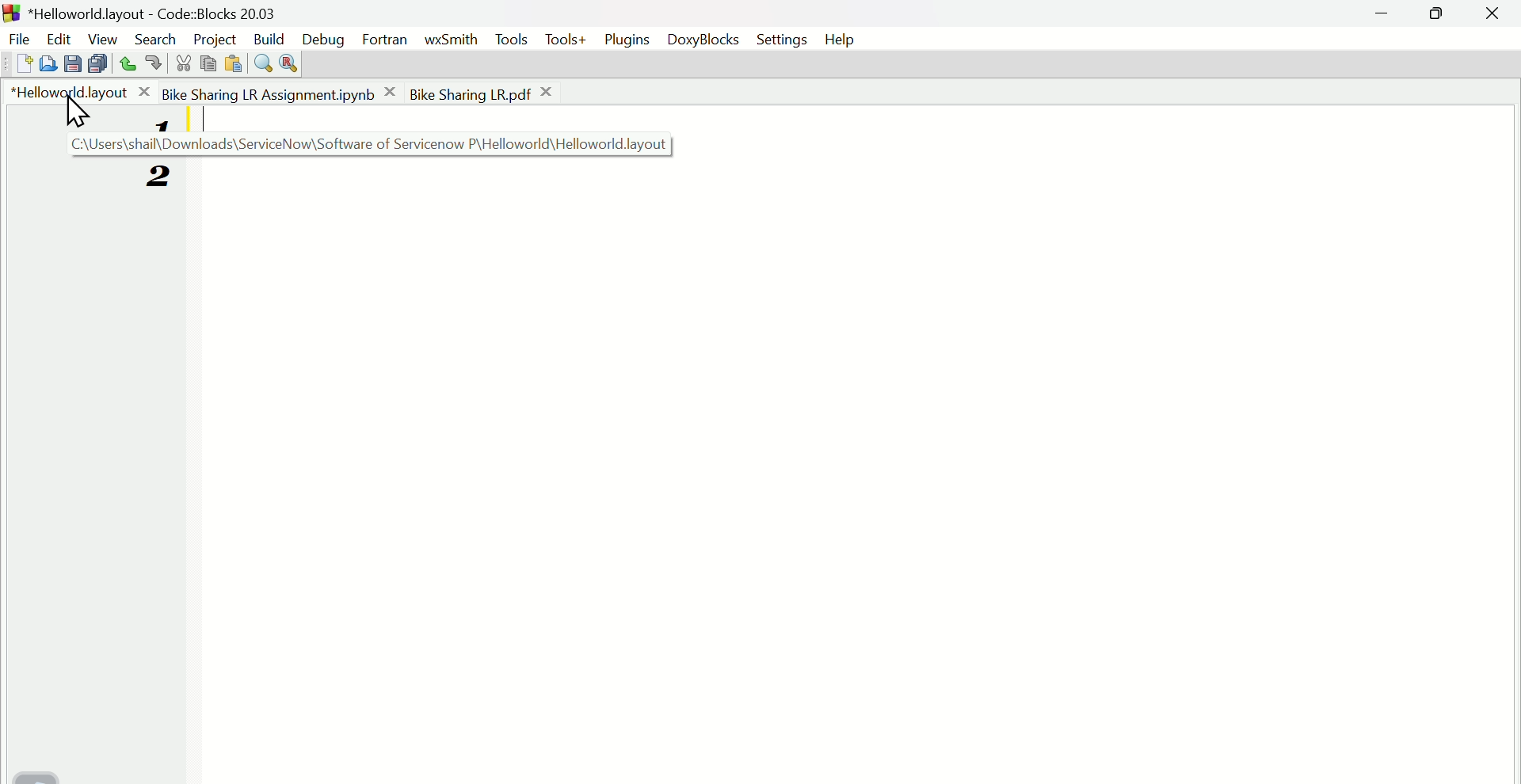  I want to click on Maximise, so click(1439, 18).